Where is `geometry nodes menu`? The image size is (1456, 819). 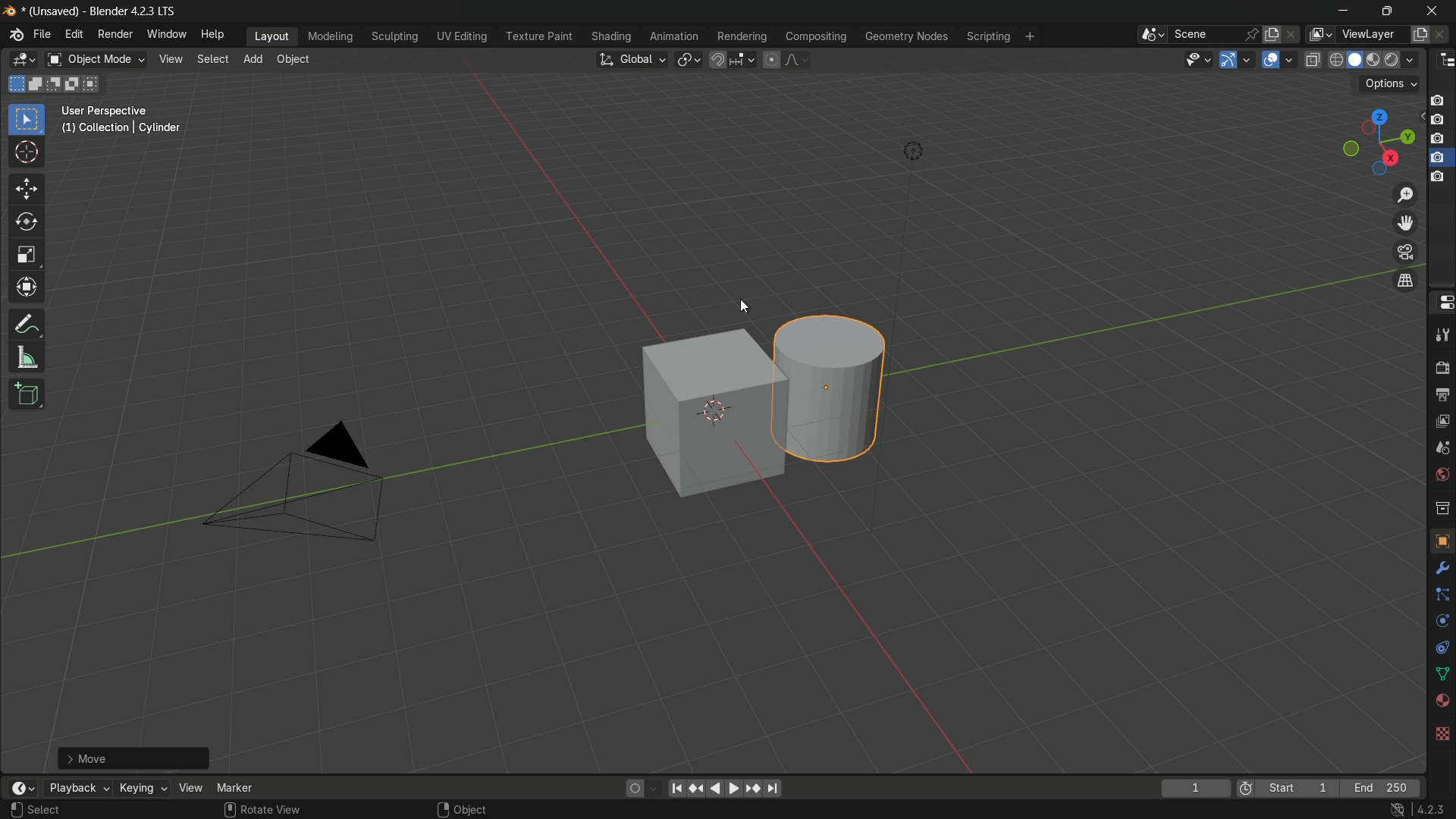
geometry nodes menu is located at coordinates (907, 37).